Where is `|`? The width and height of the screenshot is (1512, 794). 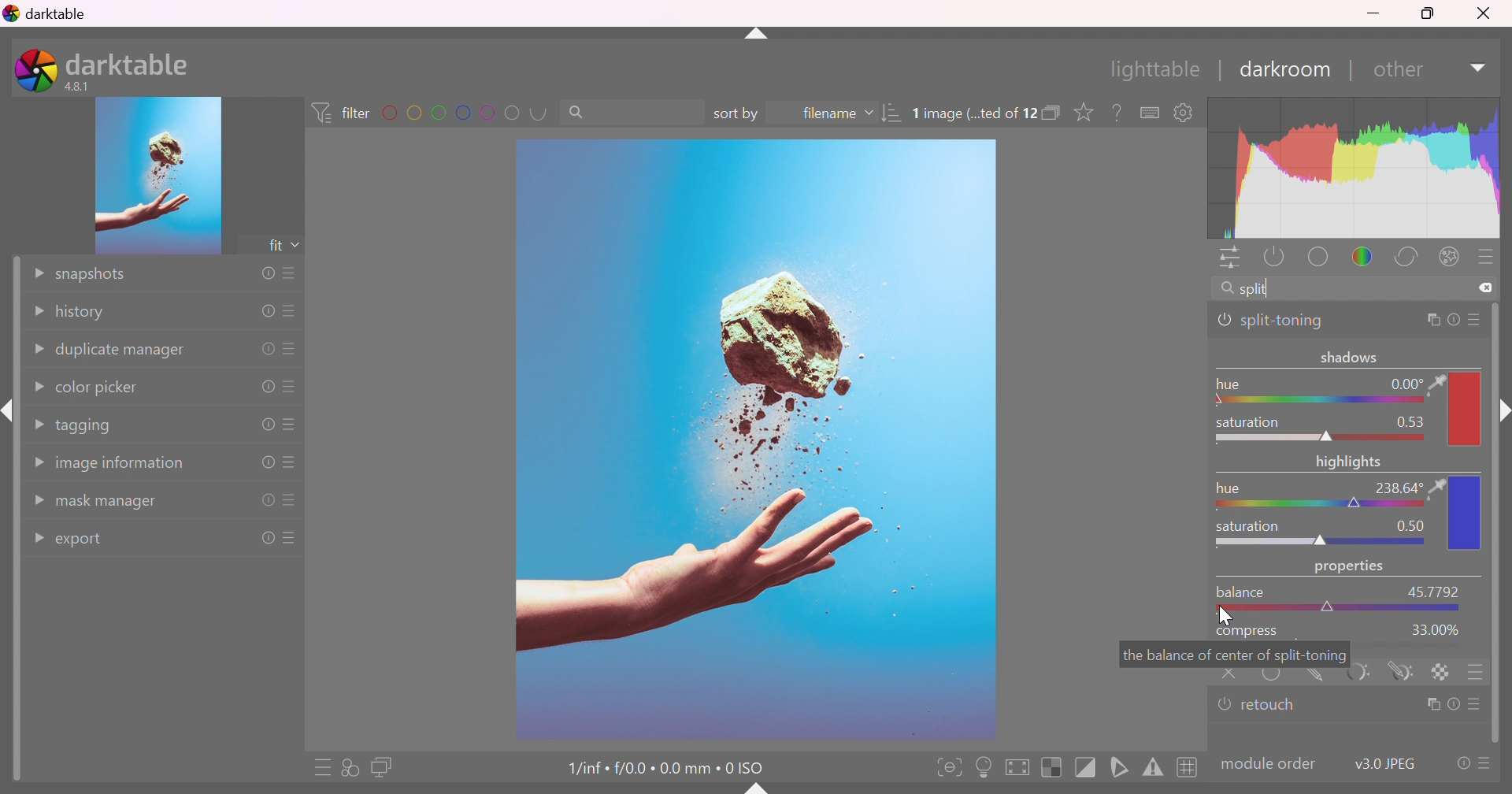
| is located at coordinates (1354, 70).